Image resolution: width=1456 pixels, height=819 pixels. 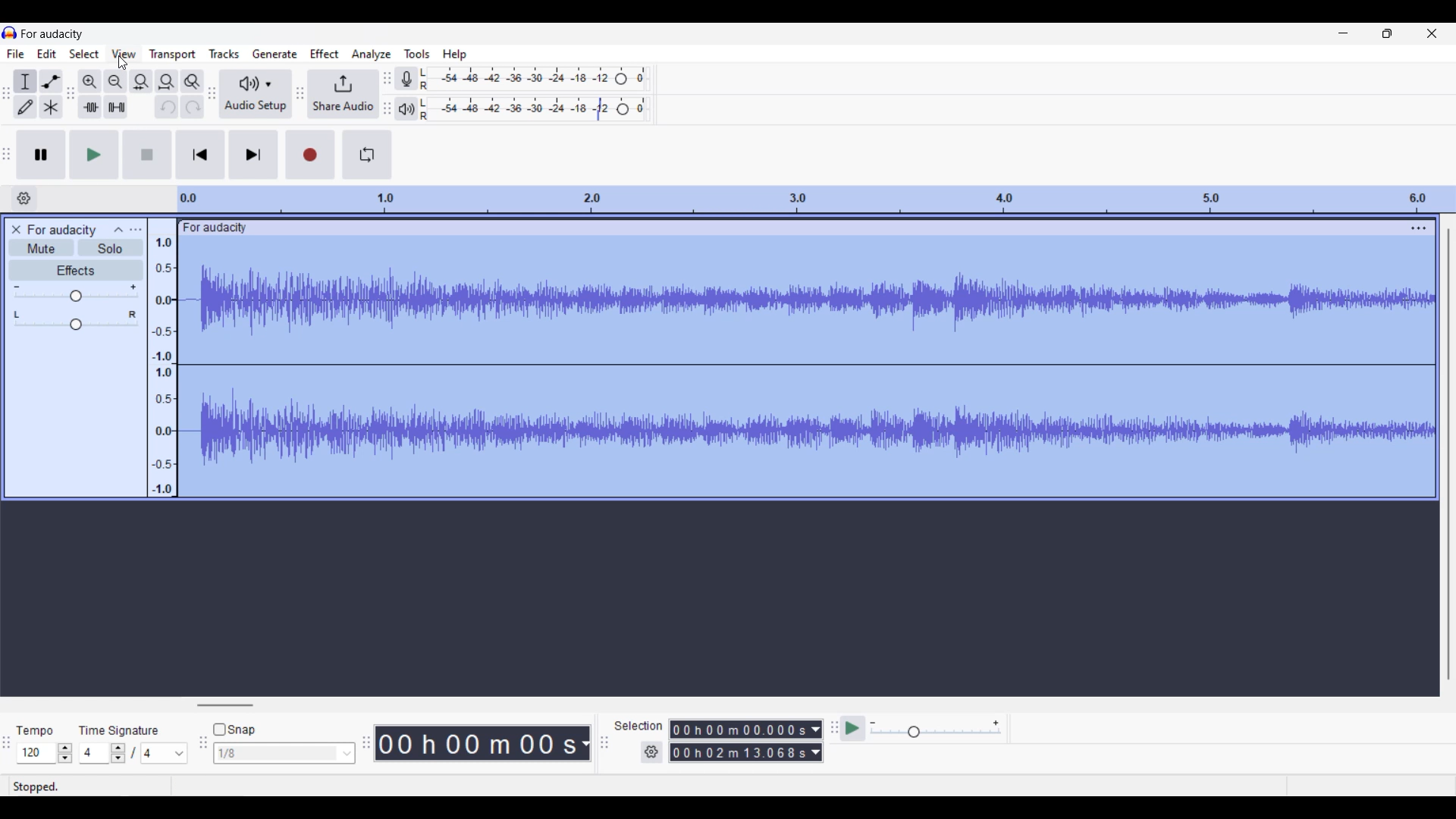 I want to click on Fit selection to width, so click(x=142, y=82).